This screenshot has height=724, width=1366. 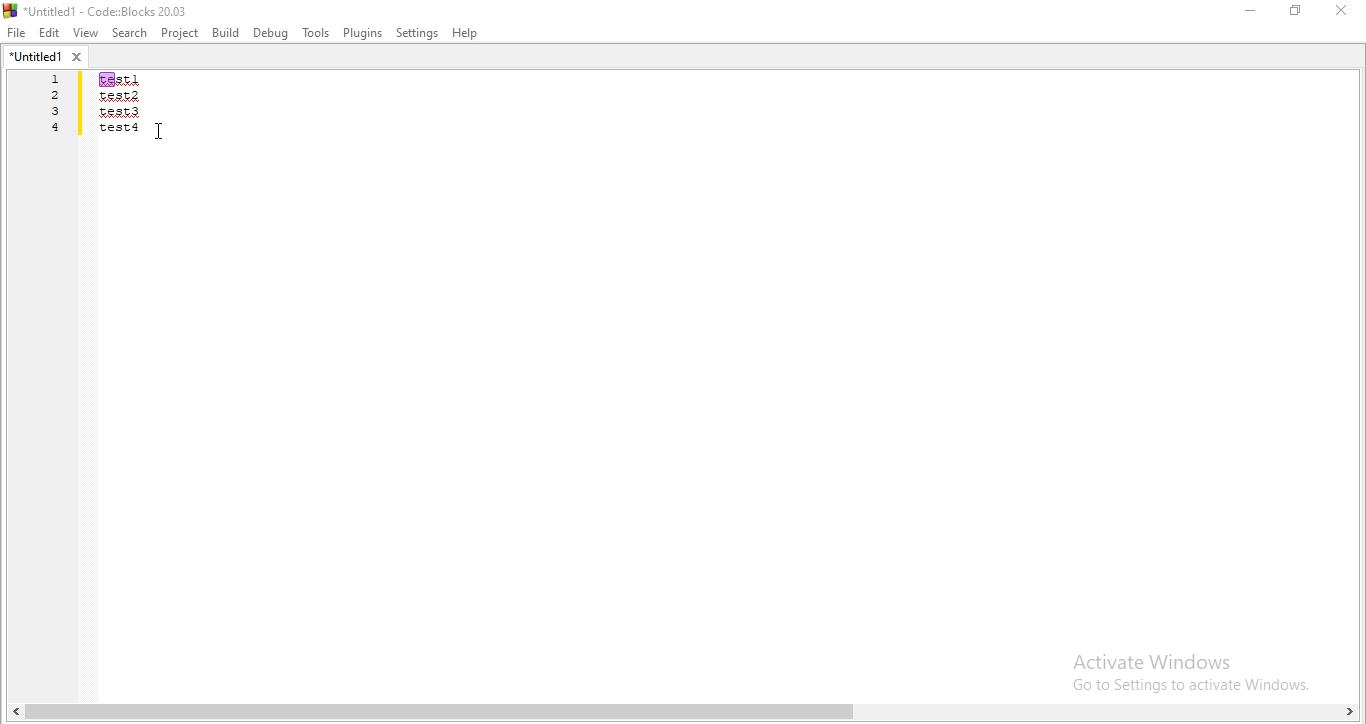 What do you see at coordinates (417, 34) in the screenshot?
I see `Settings ` at bounding box center [417, 34].